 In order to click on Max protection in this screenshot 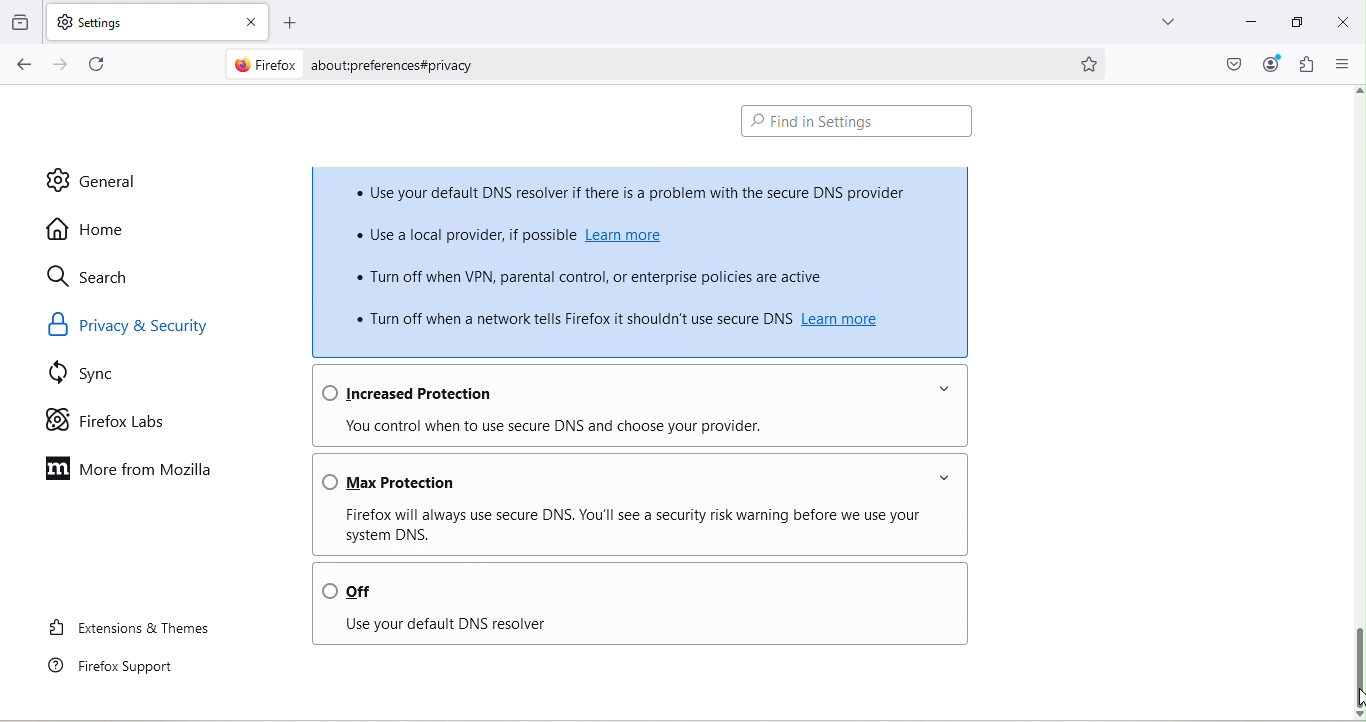, I will do `click(631, 477)`.